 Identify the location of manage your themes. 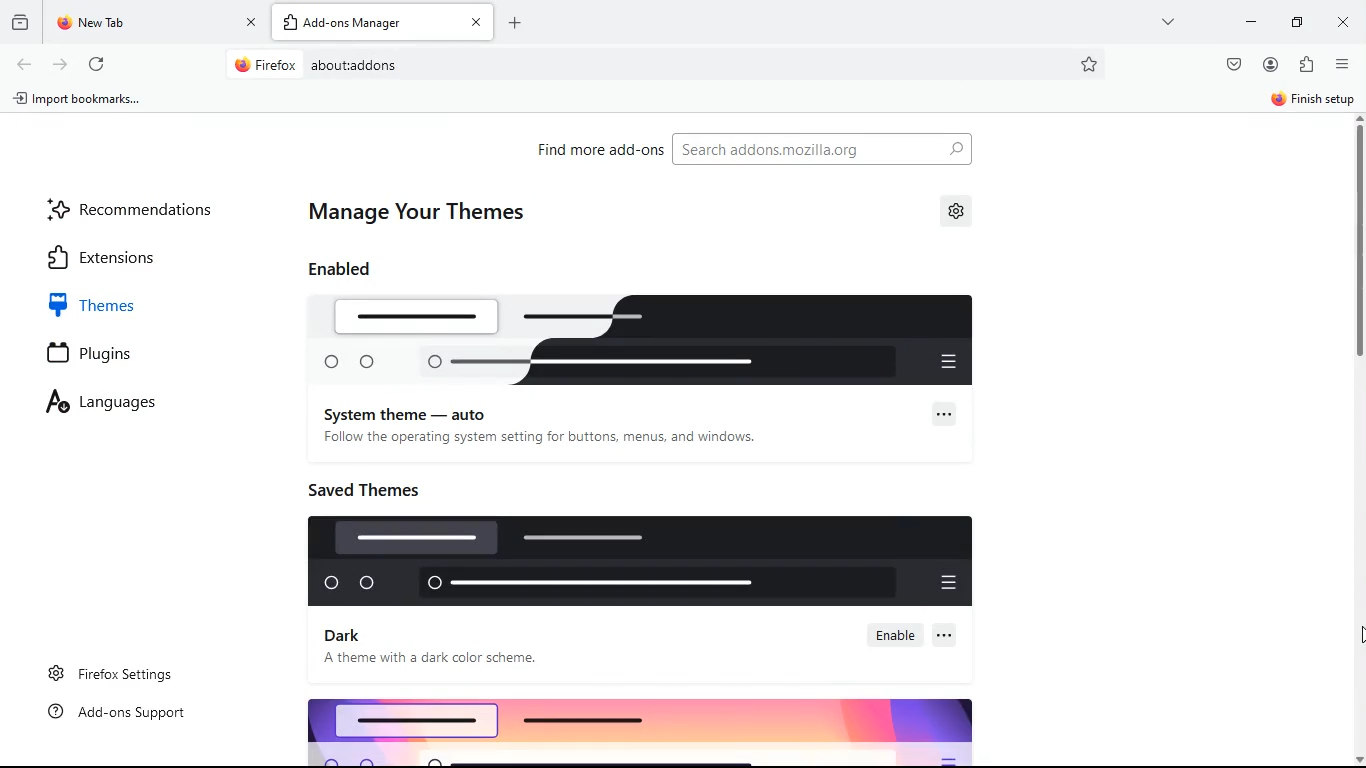
(426, 213).